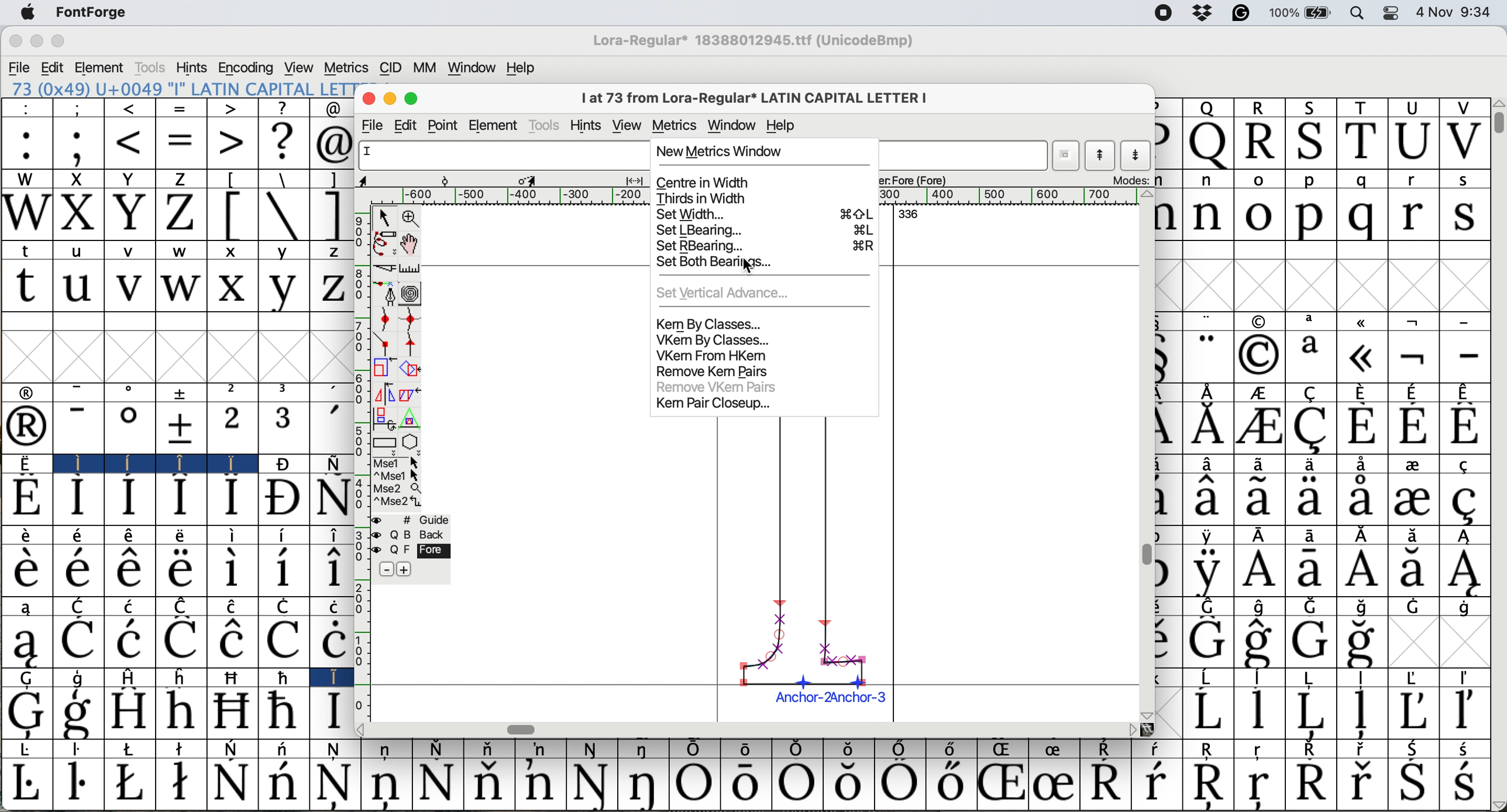 The width and height of the screenshot is (1507, 812). I want to click on Symbol, so click(282, 464).